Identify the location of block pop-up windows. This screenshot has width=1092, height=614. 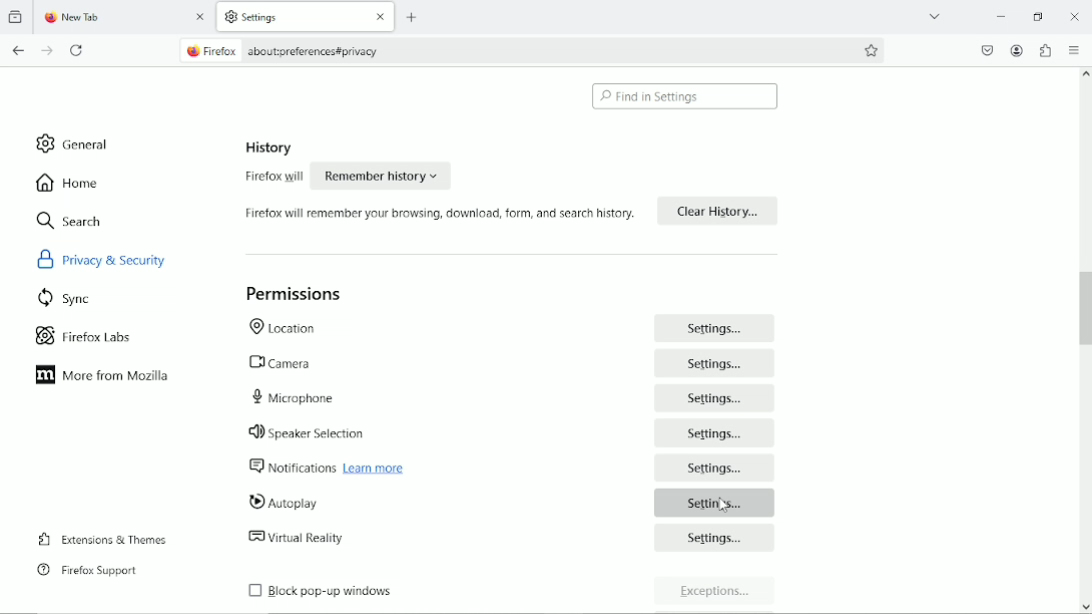
(387, 594).